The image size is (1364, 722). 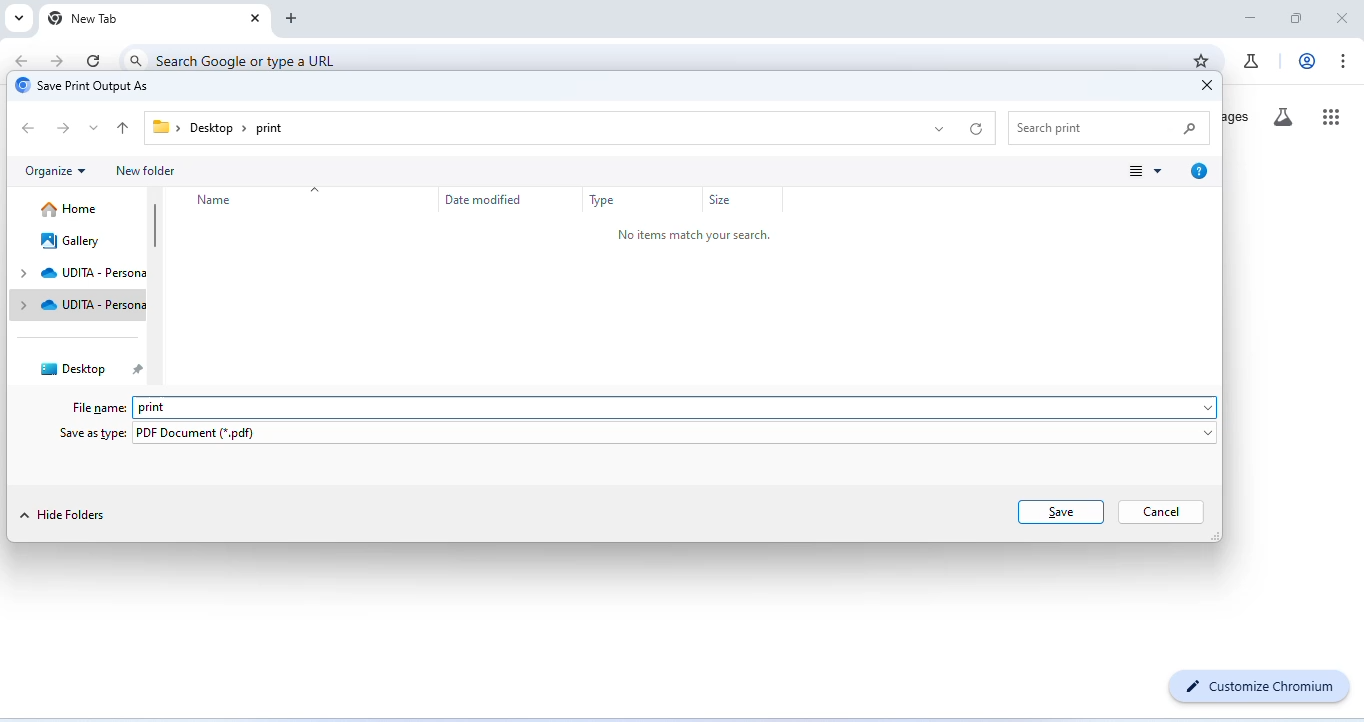 I want to click on size, so click(x=725, y=203).